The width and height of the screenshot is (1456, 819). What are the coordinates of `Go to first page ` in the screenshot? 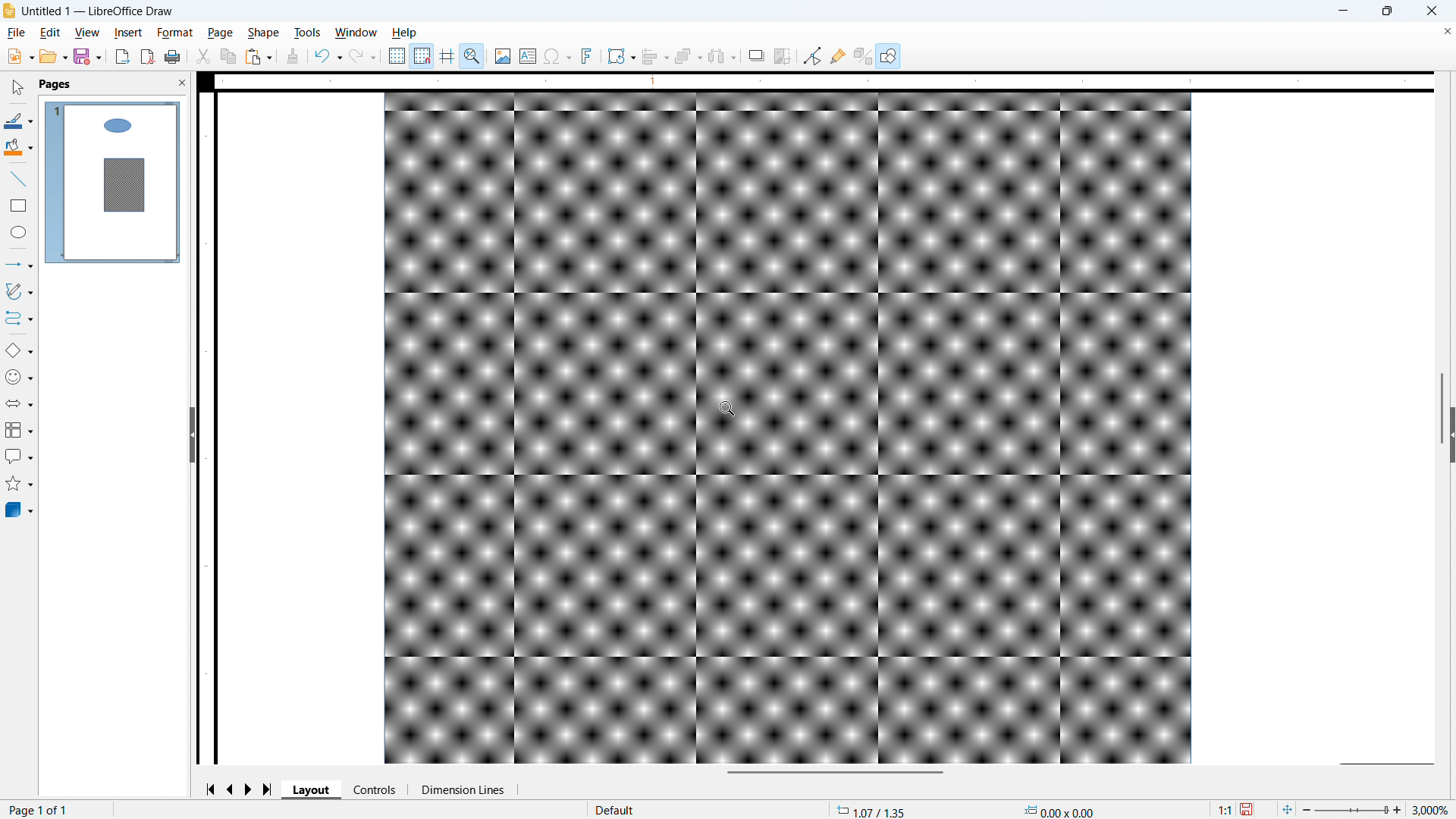 It's located at (213, 789).